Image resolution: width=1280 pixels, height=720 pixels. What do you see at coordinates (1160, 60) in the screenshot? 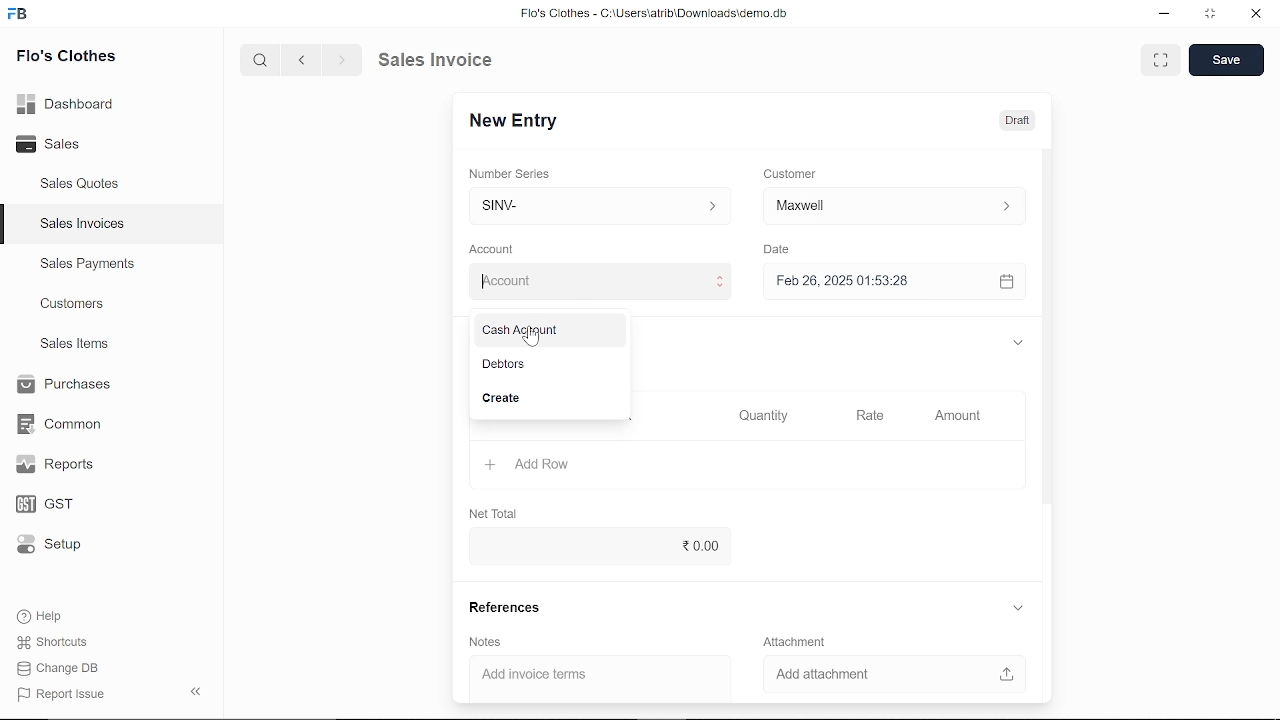
I see `full screen` at bounding box center [1160, 60].